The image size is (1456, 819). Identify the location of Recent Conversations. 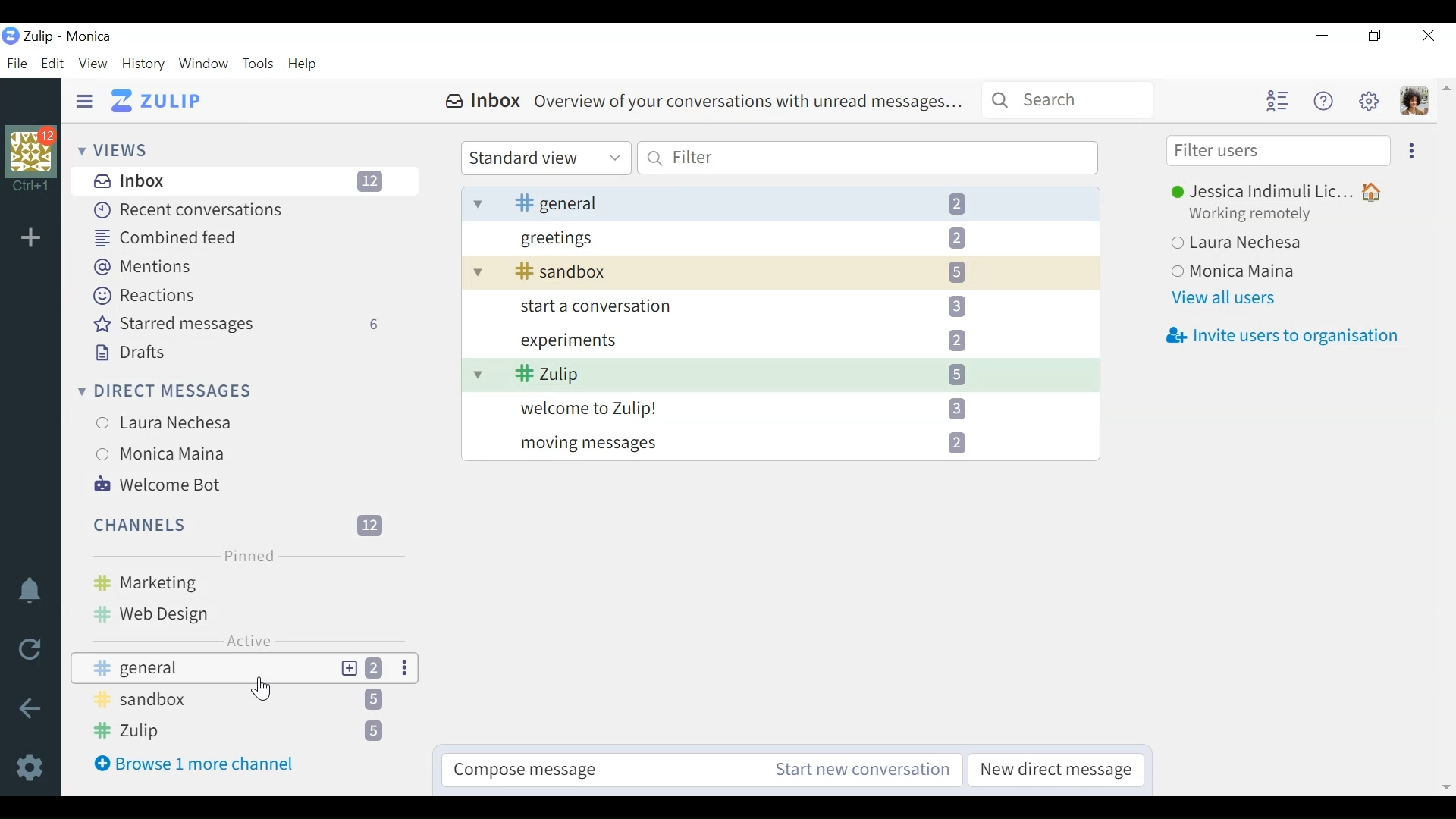
(185, 210).